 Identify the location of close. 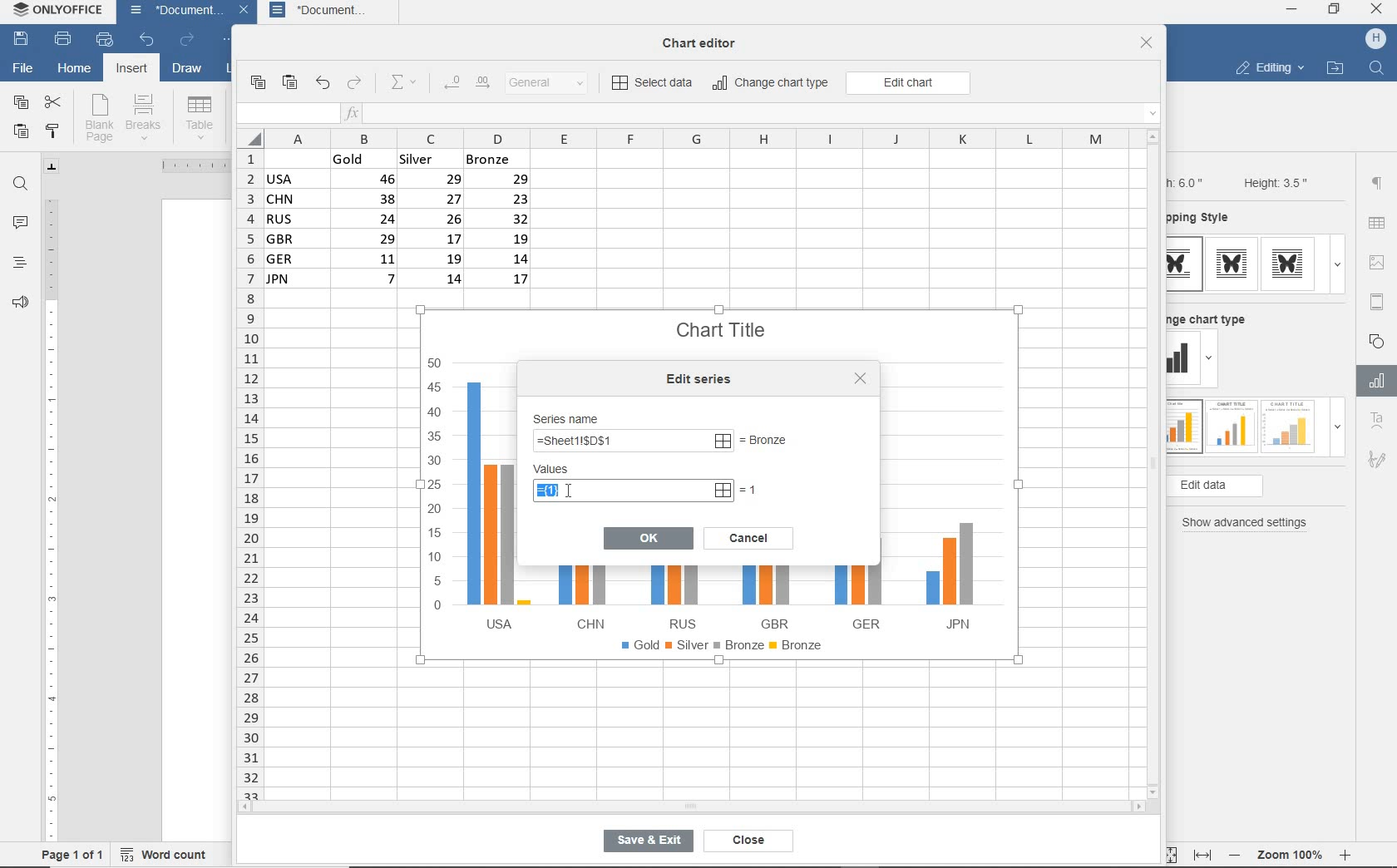
(246, 12).